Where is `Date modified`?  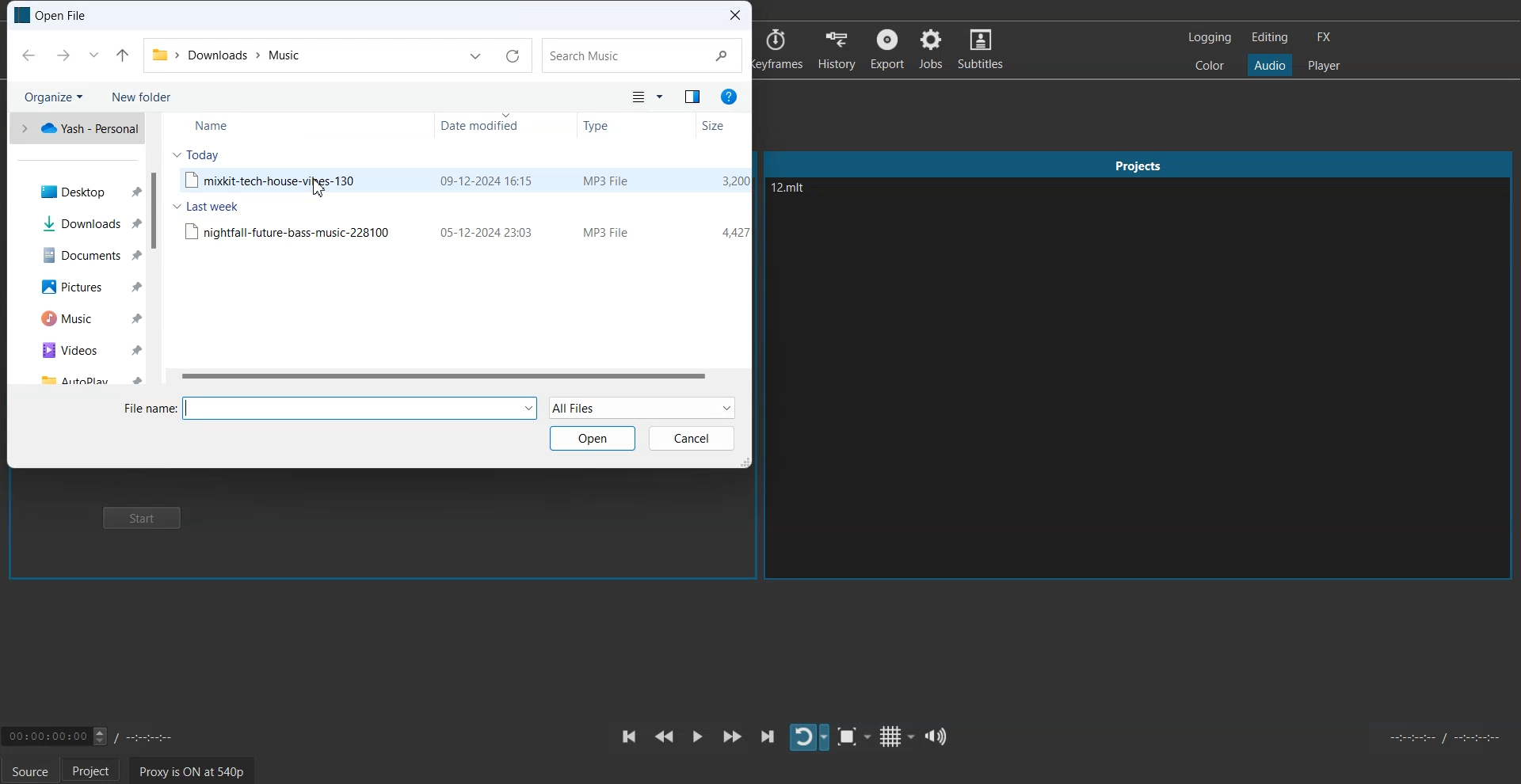
Date modified is located at coordinates (482, 125).